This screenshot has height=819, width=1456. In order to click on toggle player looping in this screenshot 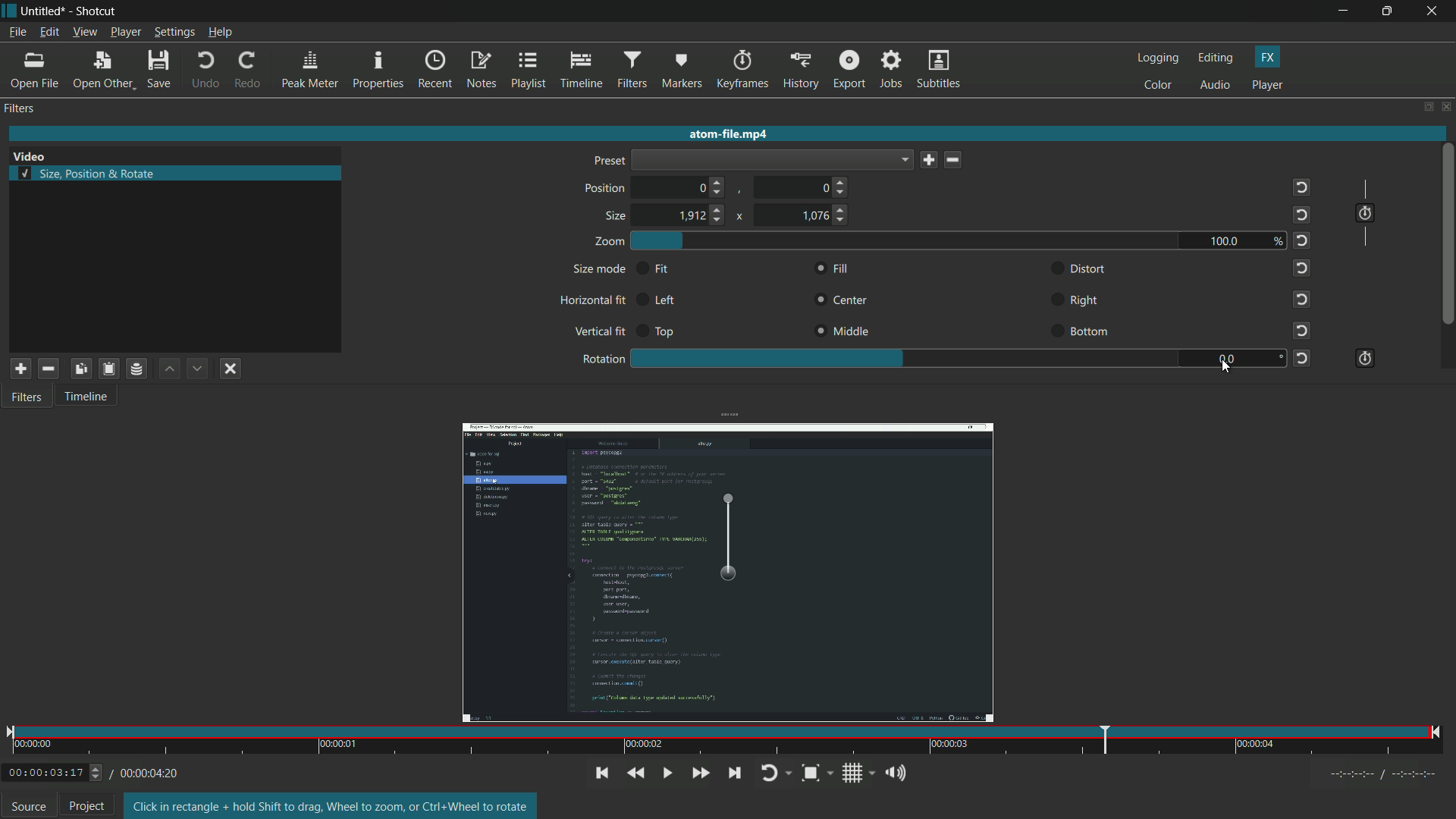, I will do `click(774, 773)`.